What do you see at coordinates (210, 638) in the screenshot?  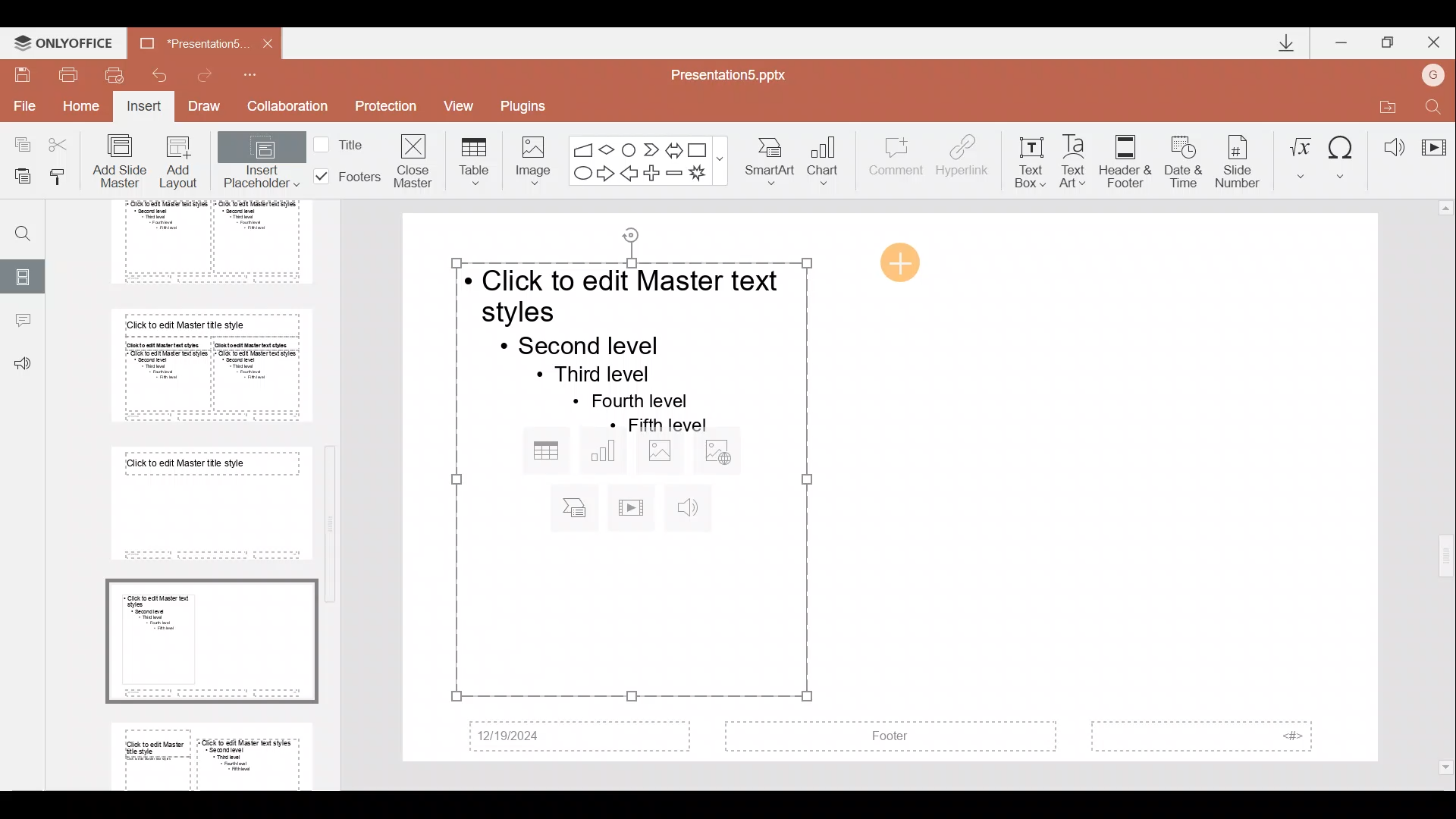 I see `Slide 8` at bounding box center [210, 638].